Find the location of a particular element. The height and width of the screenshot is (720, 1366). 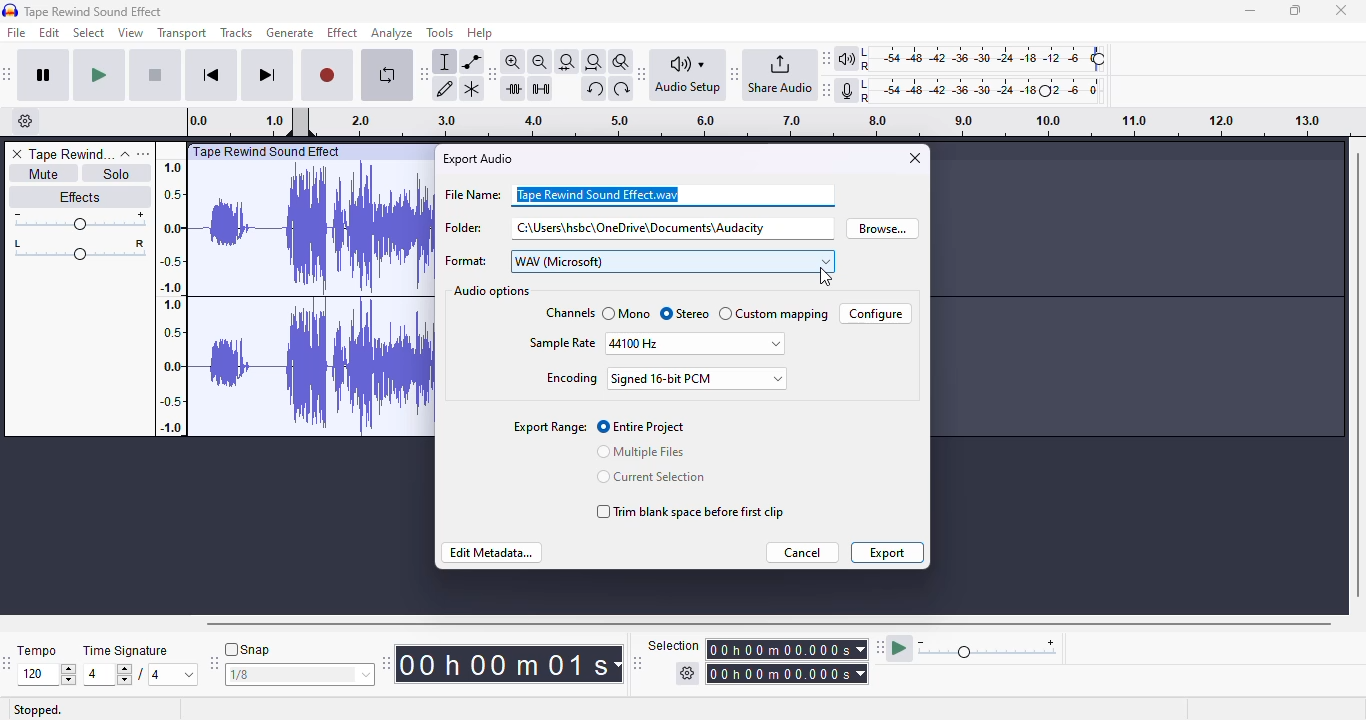

stopped is located at coordinates (37, 710).